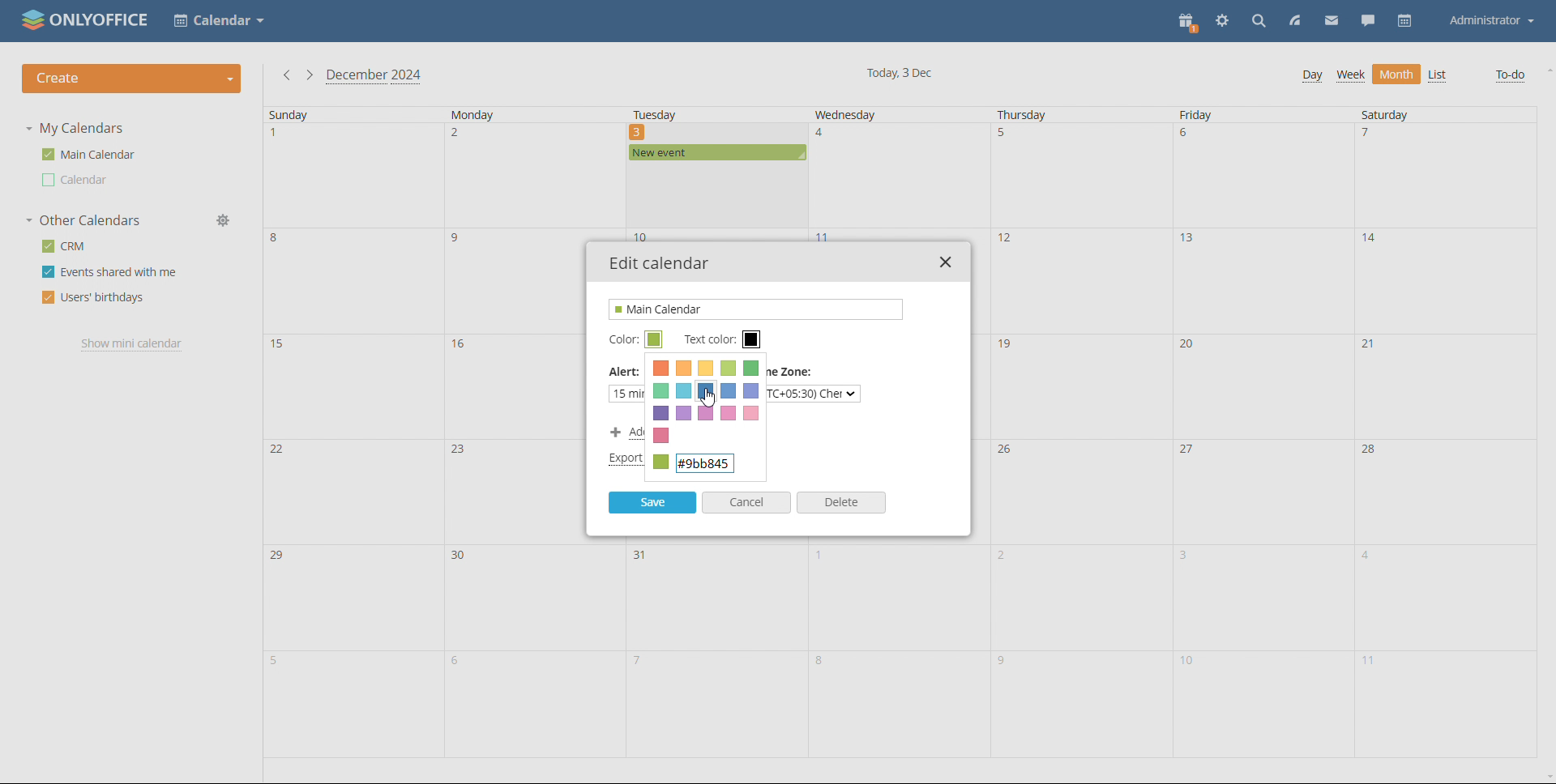  What do you see at coordinates (131, 79) in the screenshot?
I see `create` at bounding box center [131, 79].